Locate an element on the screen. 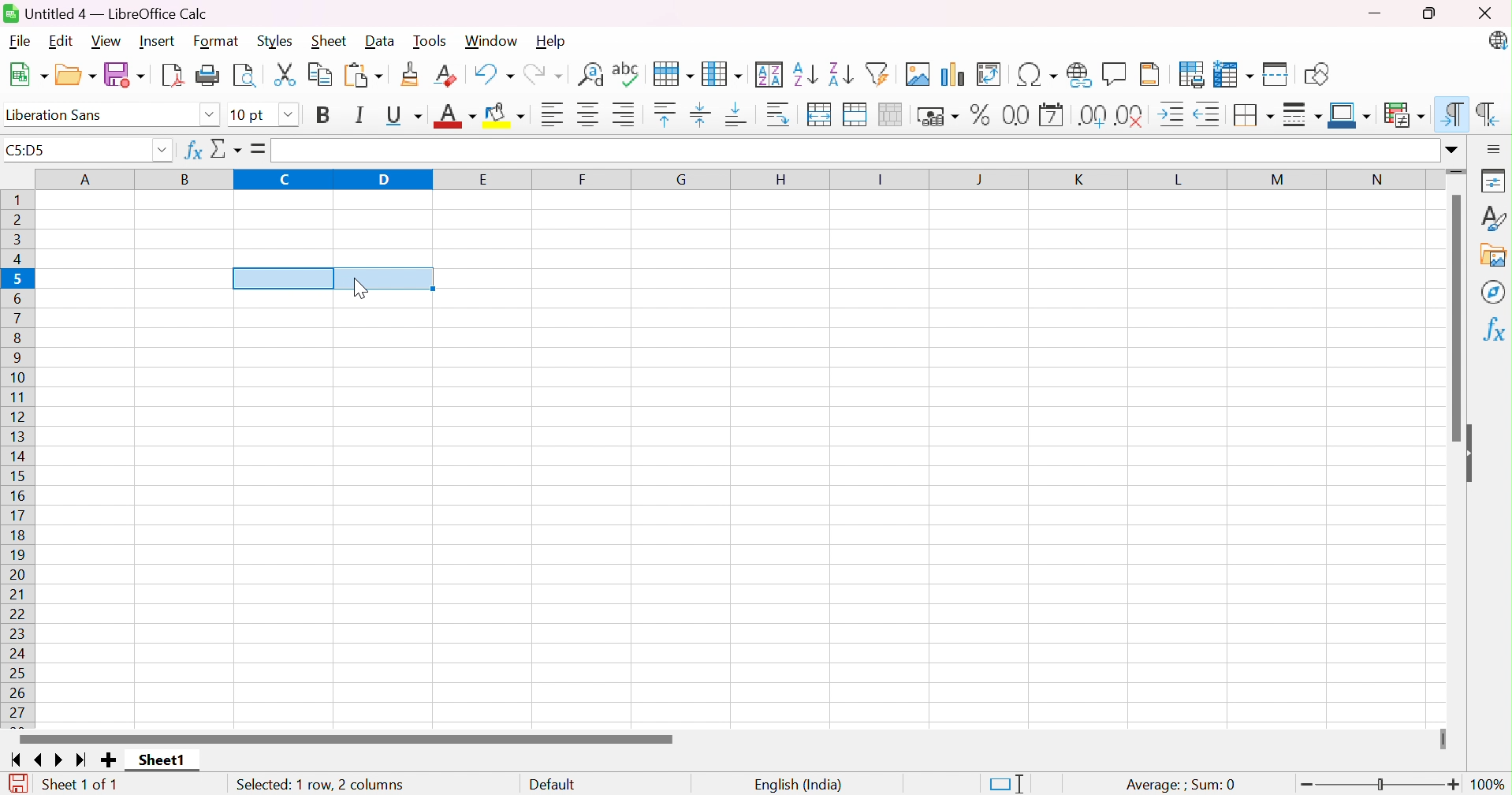  Average: ;Sum: 0 is located at coordinates (1180, 782).